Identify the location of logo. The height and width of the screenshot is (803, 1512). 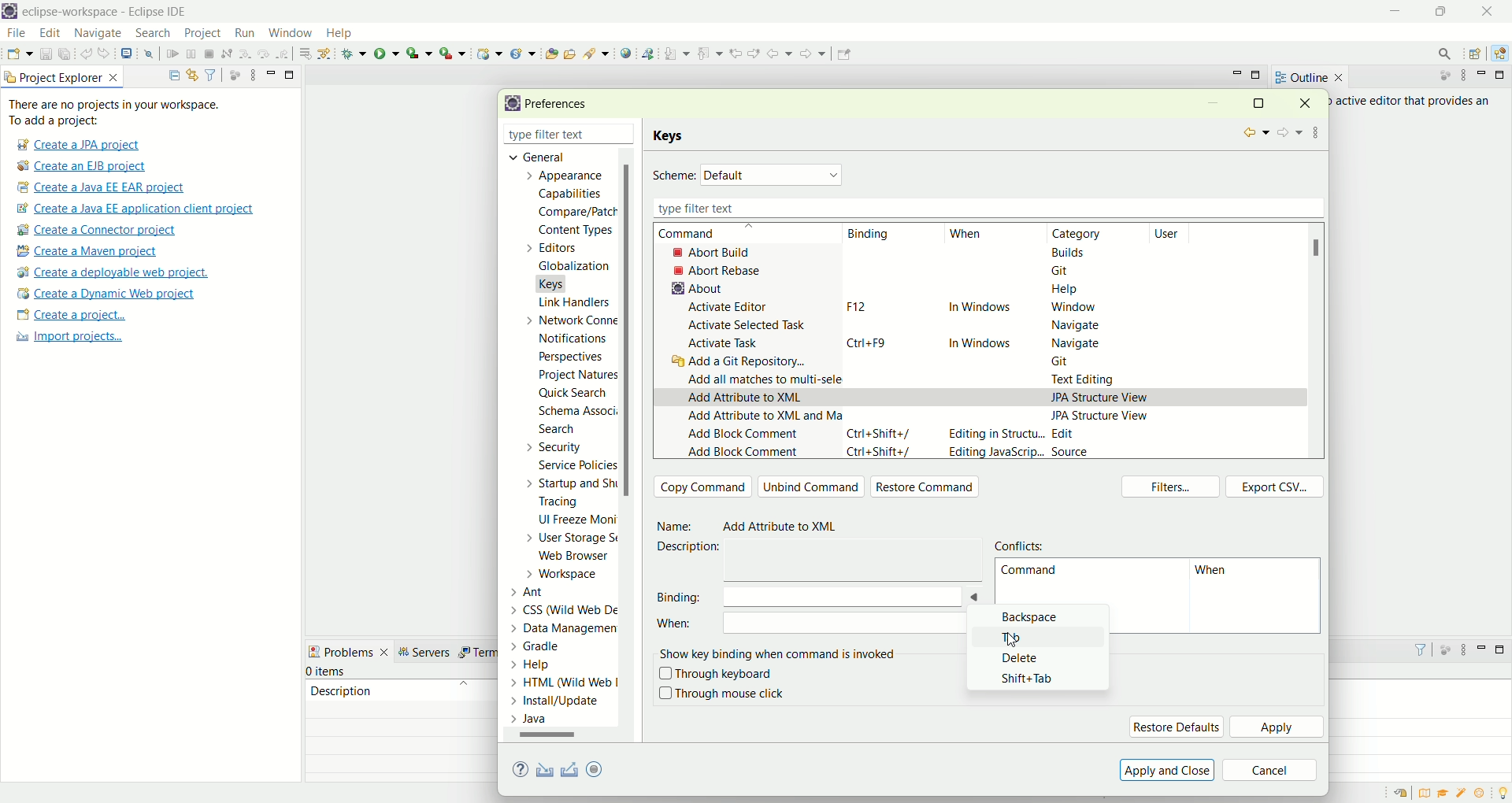
(9, 13).